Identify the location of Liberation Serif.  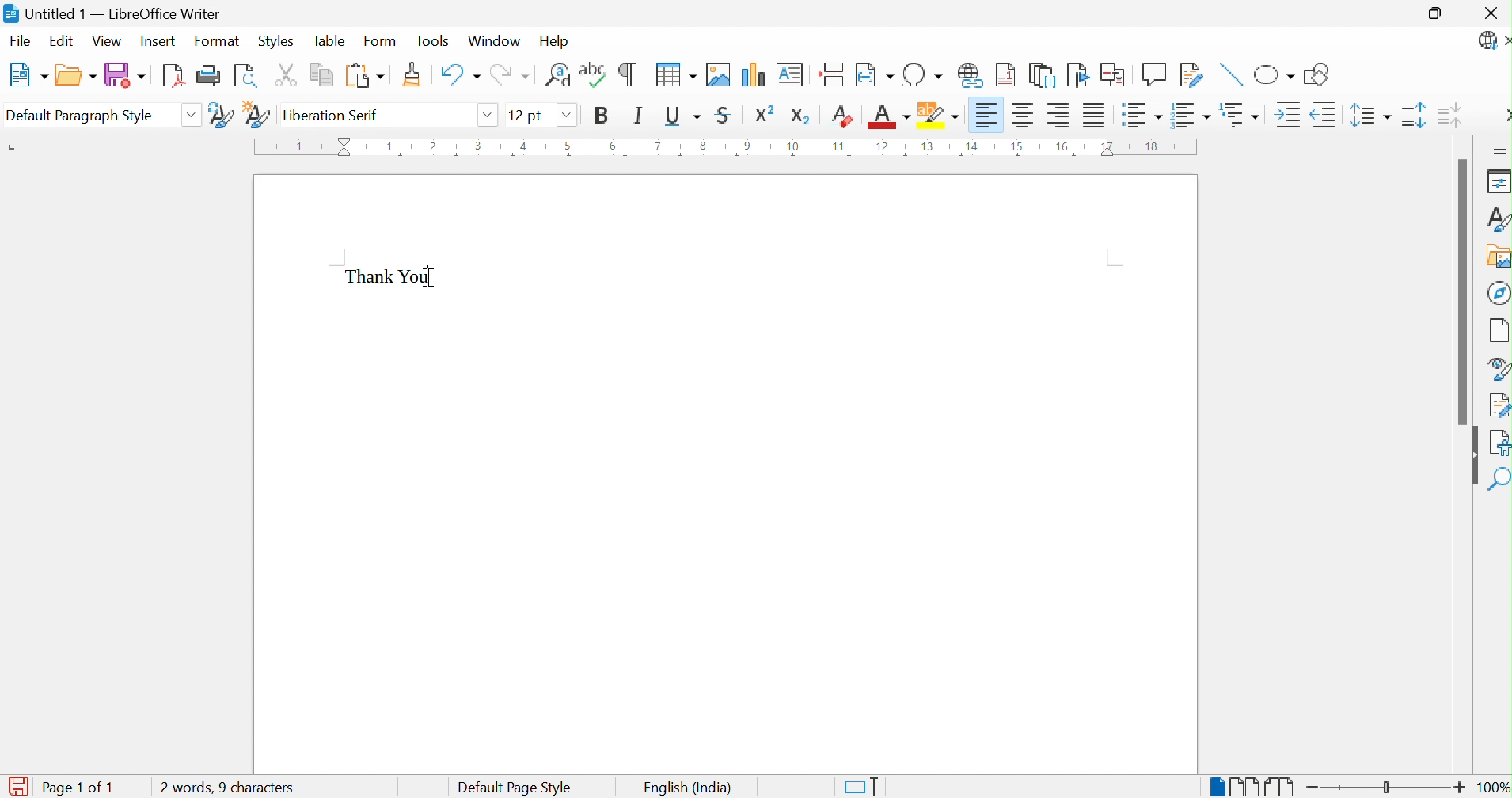
(330, 115).